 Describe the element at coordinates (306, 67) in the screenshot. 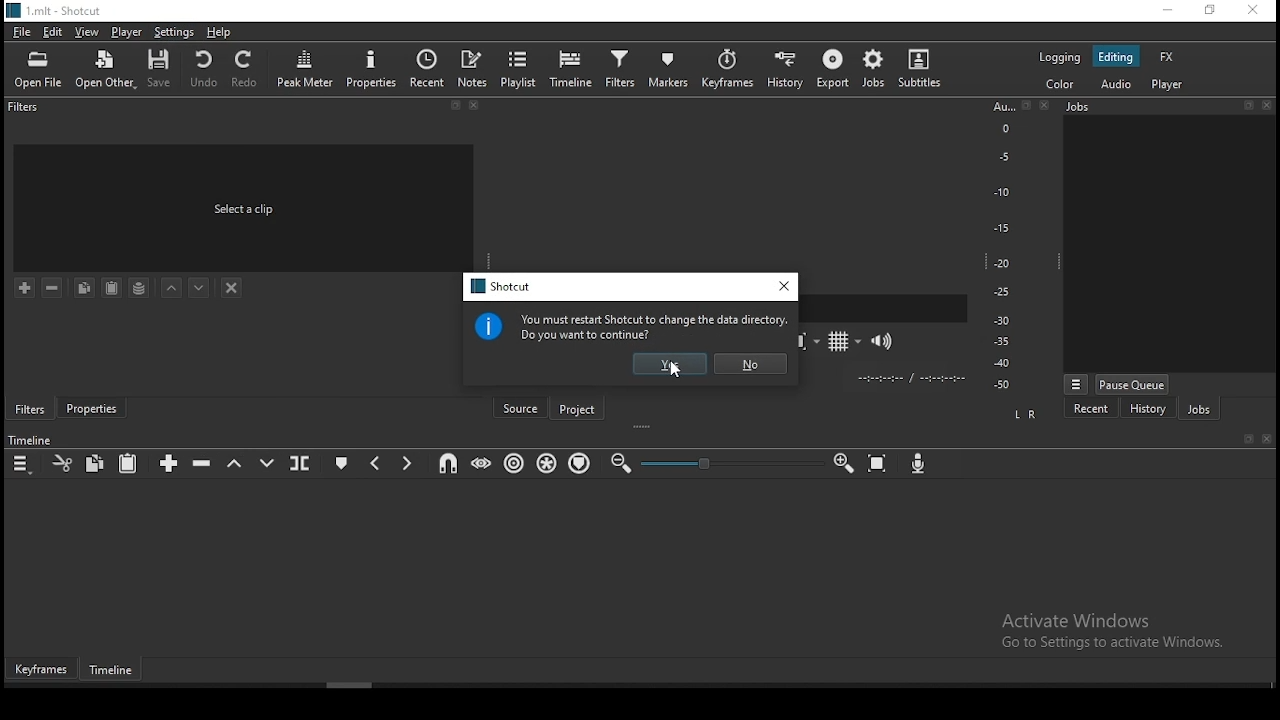

I see `peak meter` at that location.